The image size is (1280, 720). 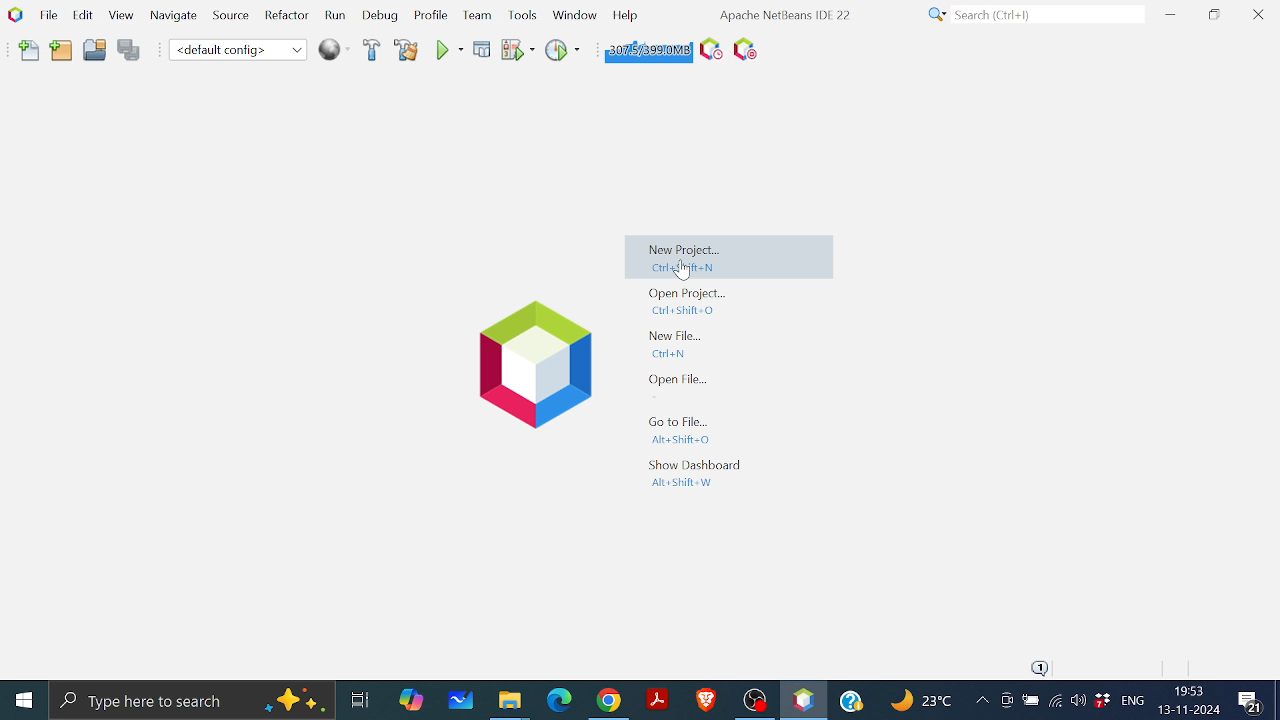 What do you see at coordinates (646, 49) in the screenshot?
I see `Click to force garbage collection` at bounding box center [646, 49].